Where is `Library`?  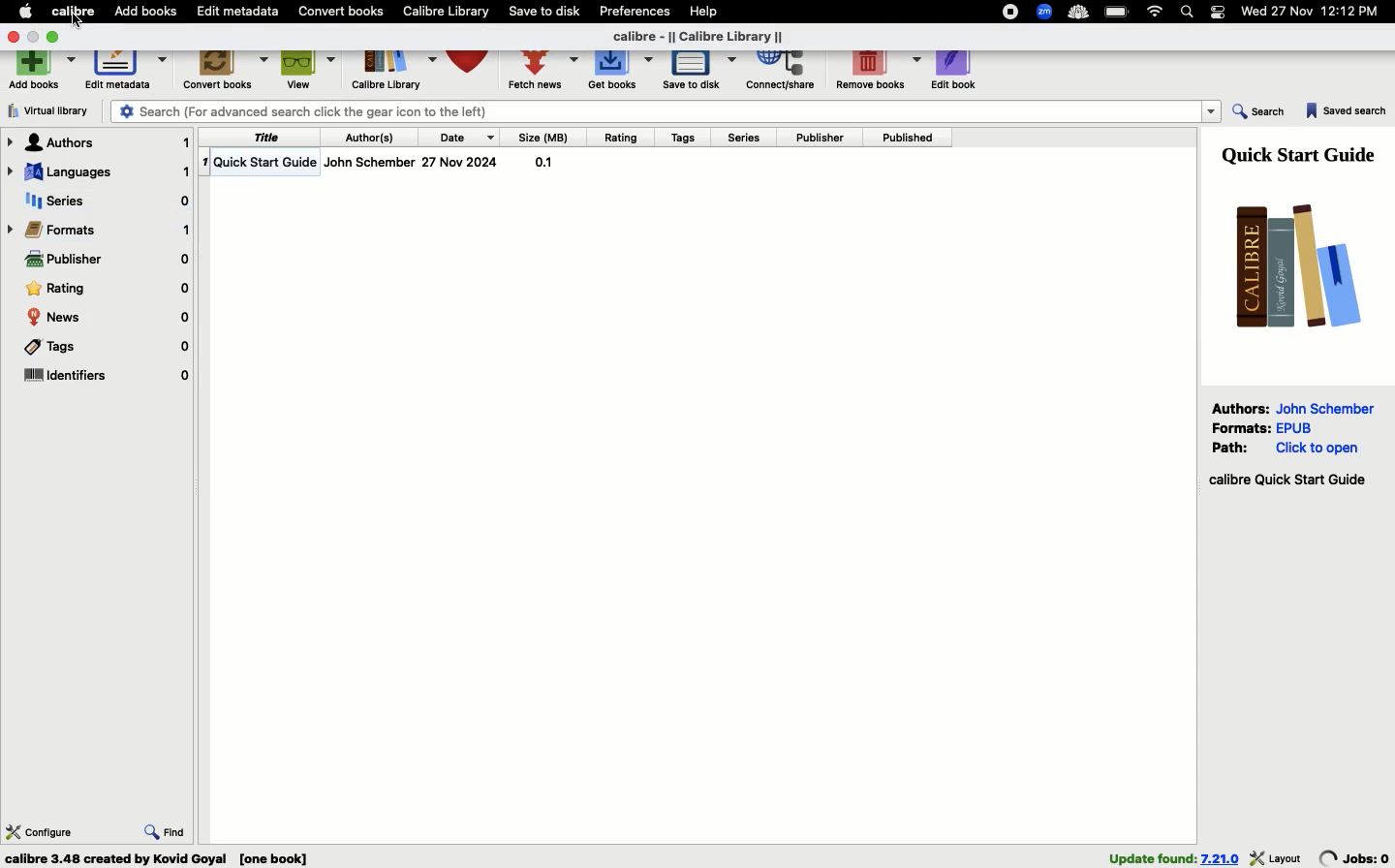 Library is located at coordinates (393, 74).